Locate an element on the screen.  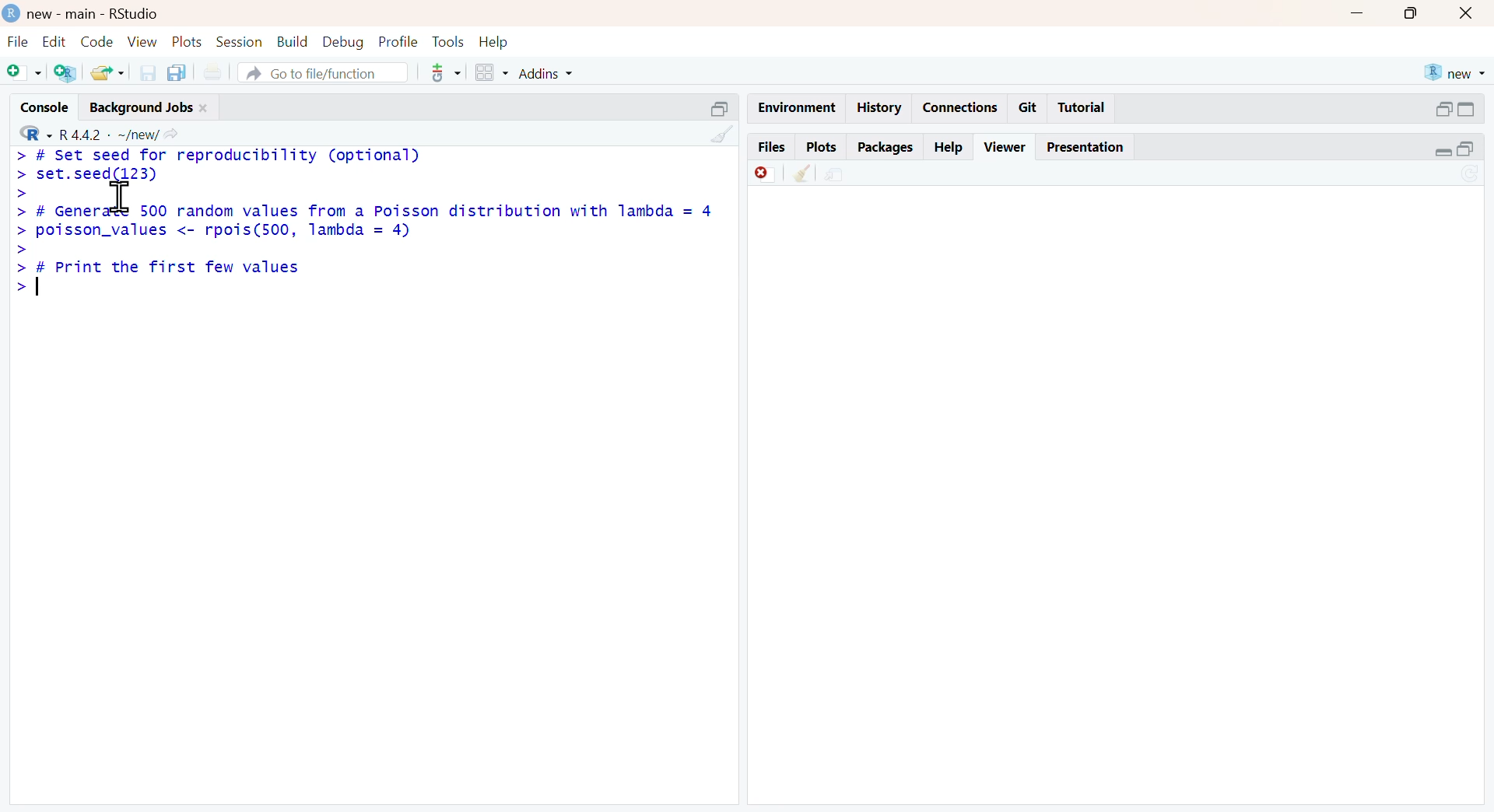
enviornment is located at coordinates (798, 108).